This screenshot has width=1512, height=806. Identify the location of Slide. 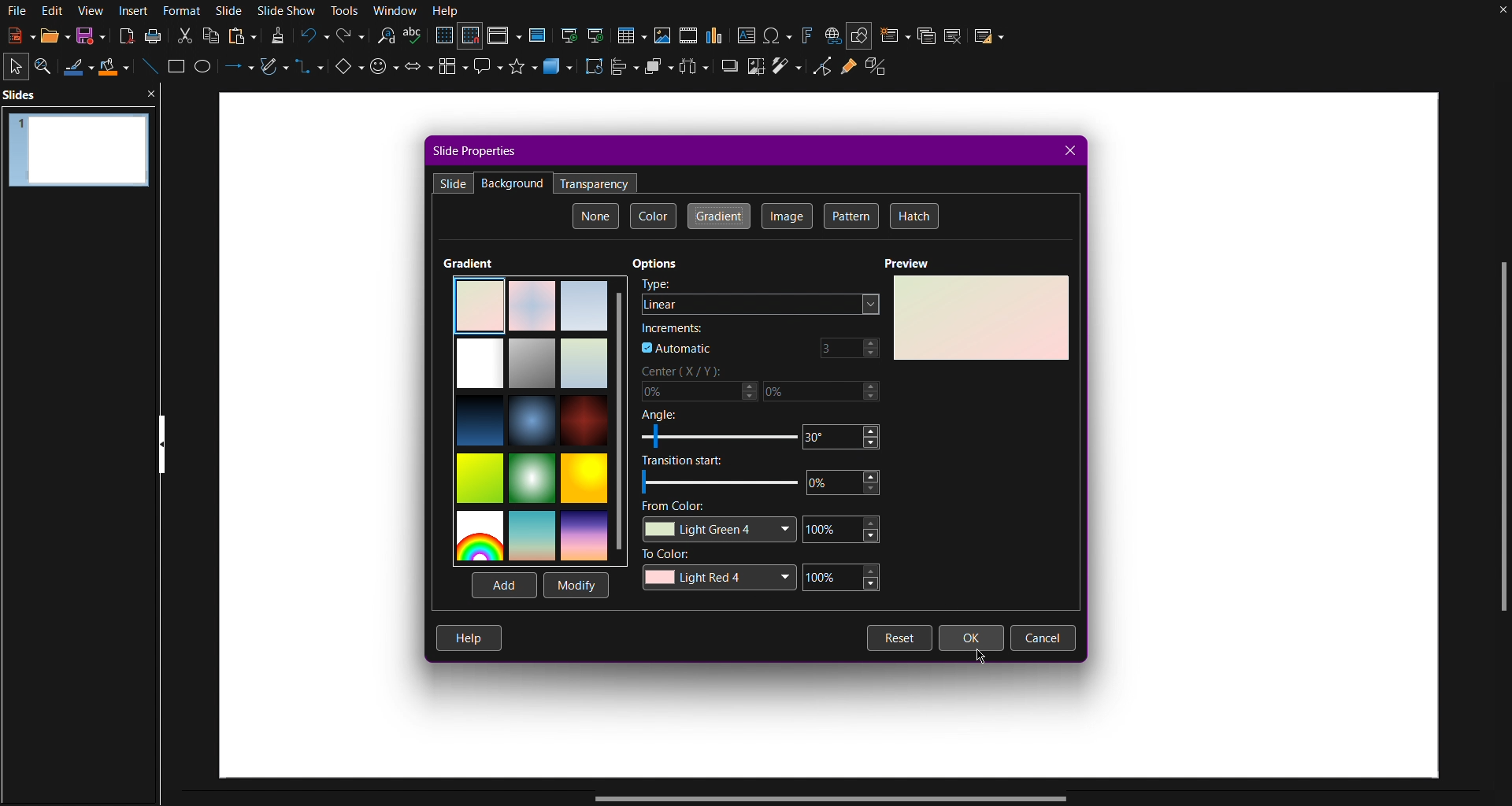
(454, 183).